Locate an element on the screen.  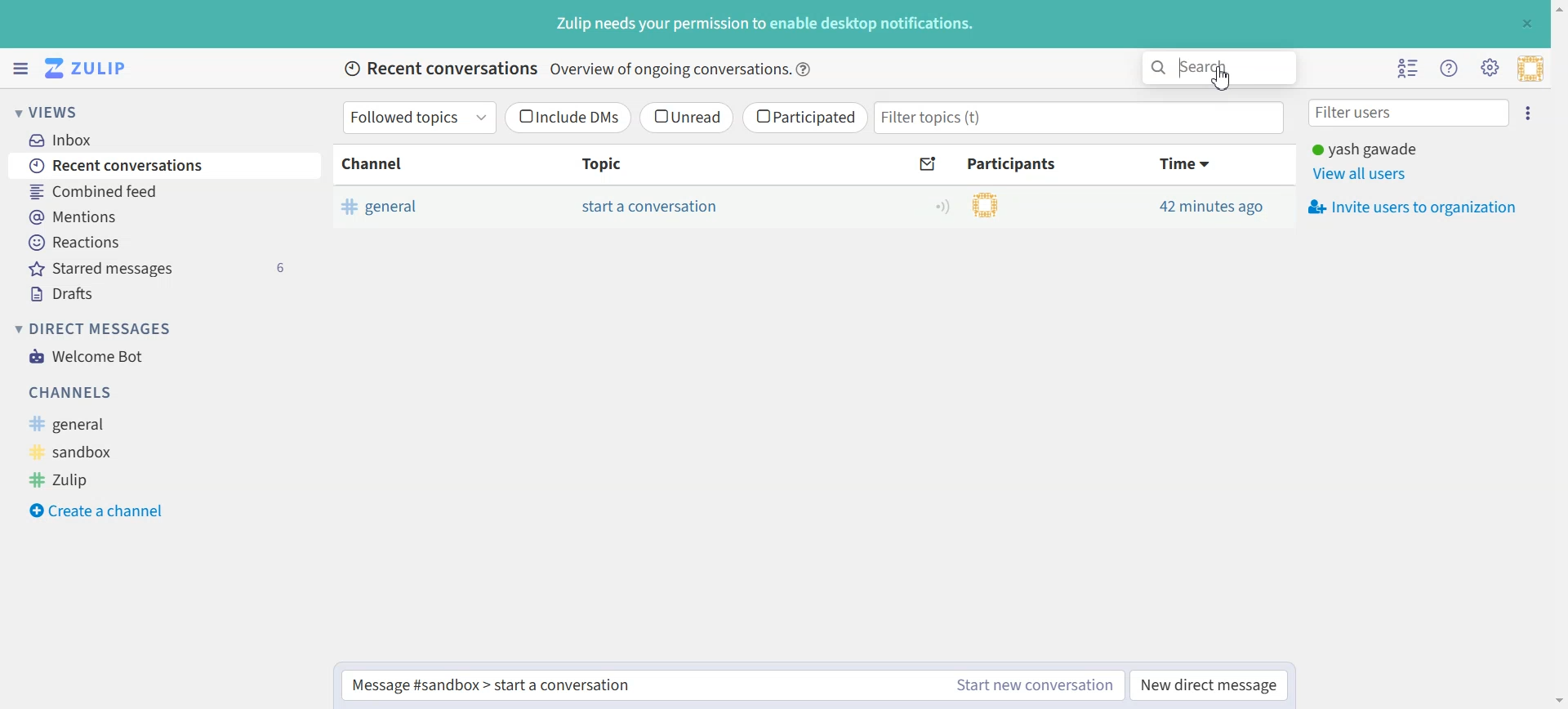
Ellipsis is located at coordinates (1532, 114).